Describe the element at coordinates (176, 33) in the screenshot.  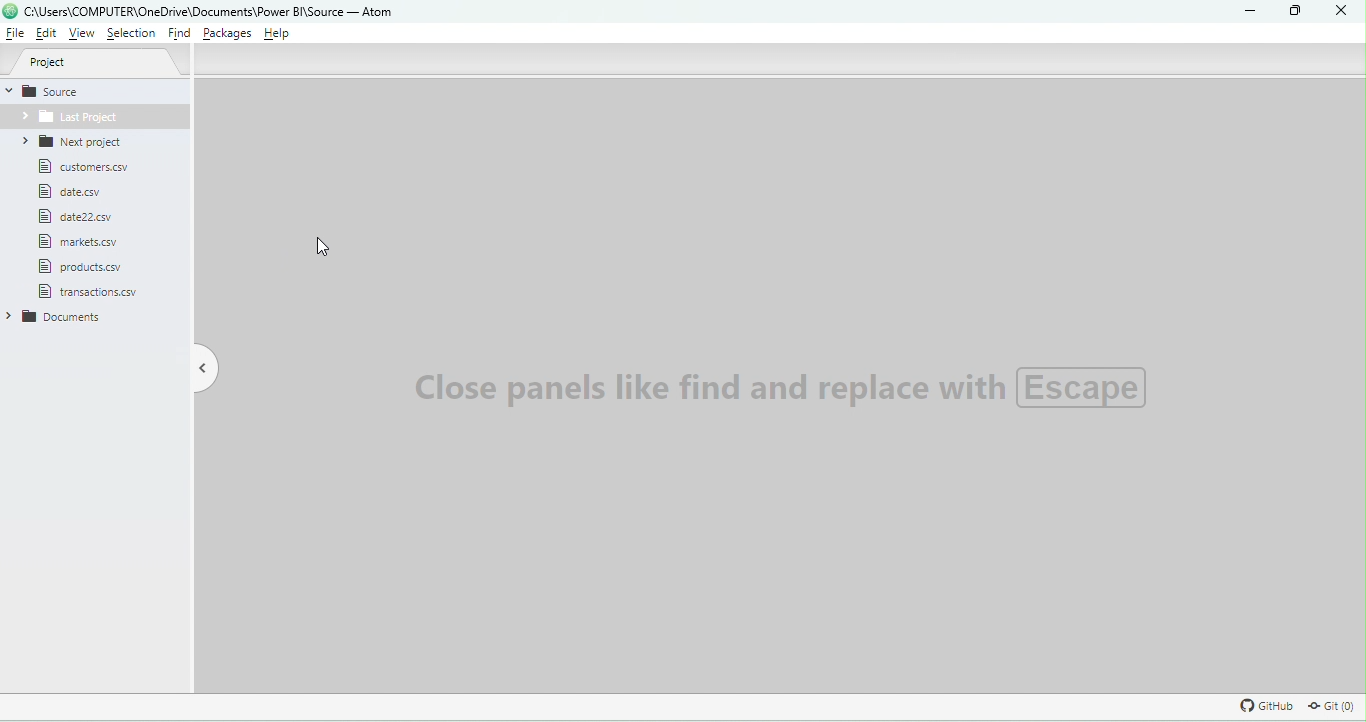
I see `Find` at that location.